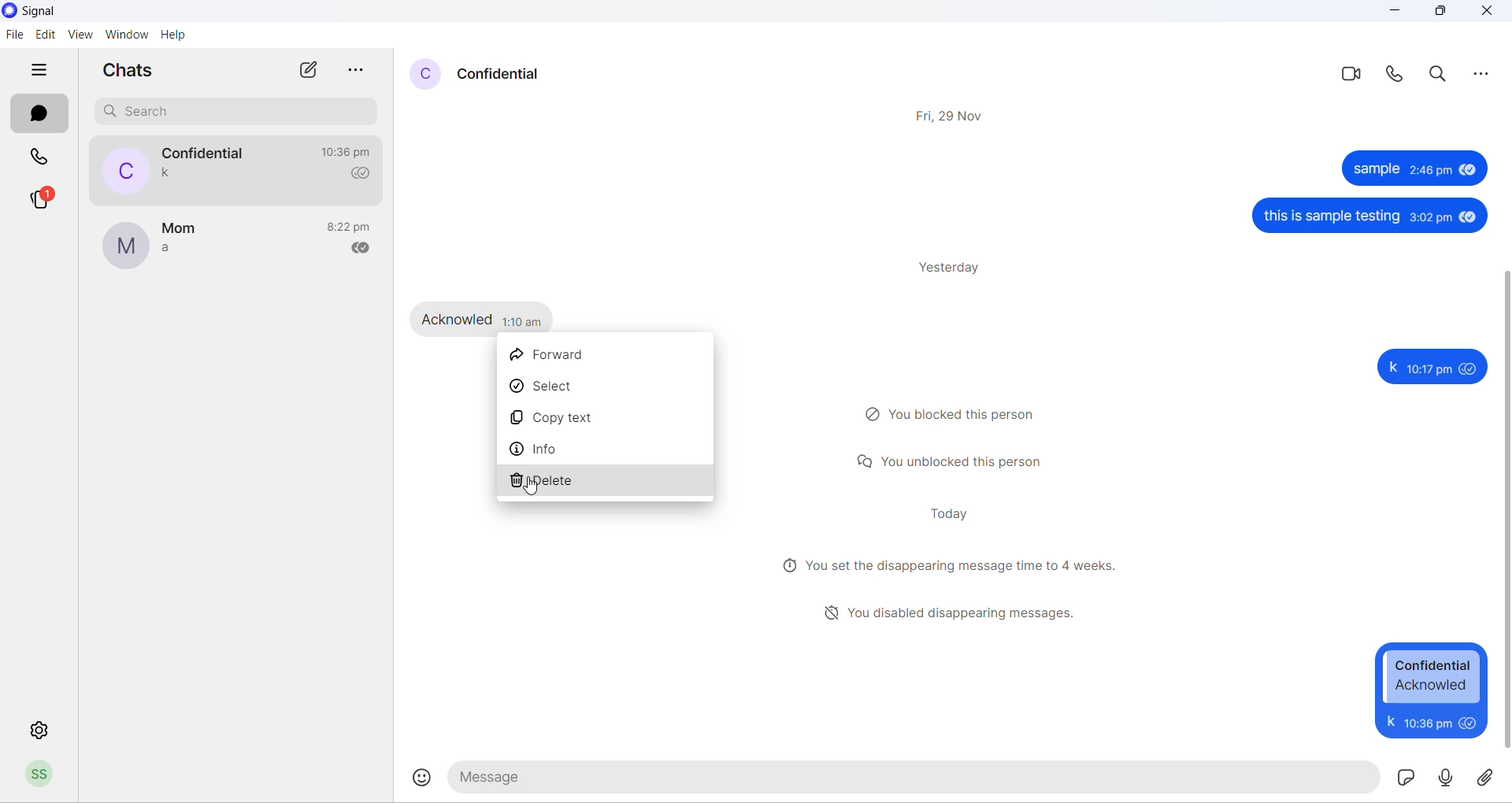 The width and height of the screenshot is (1512, 803). What do you see at coordinates (606, 413) in the screenshot?
I see `copy text ` at bounding box center [606, 413].